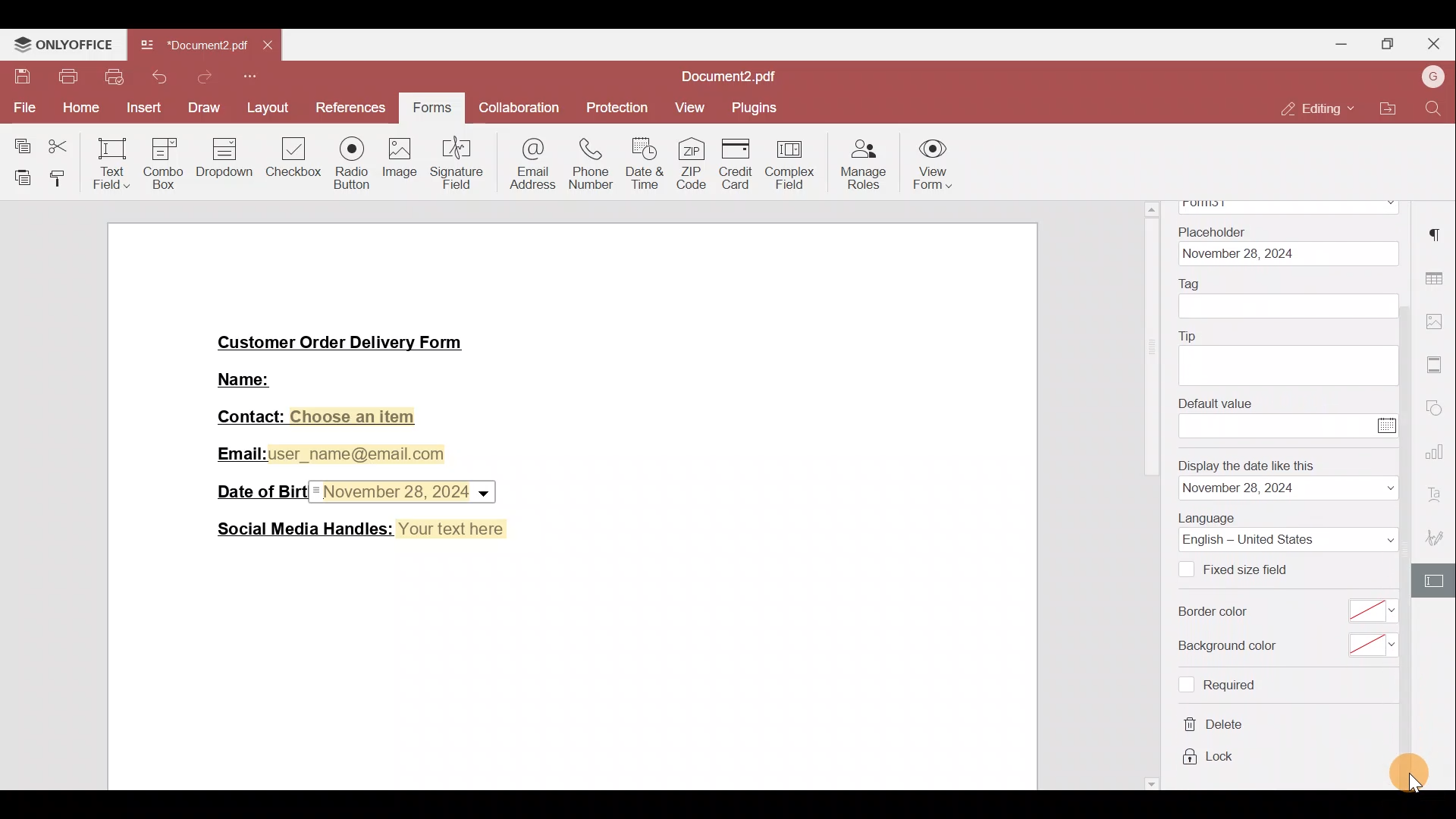 Image resolution: width=1456 pixels, height=819 pixels. What do you see at coordinates (354, 108) in the screenshot?
I see `References` at bounding box center [354, 108].